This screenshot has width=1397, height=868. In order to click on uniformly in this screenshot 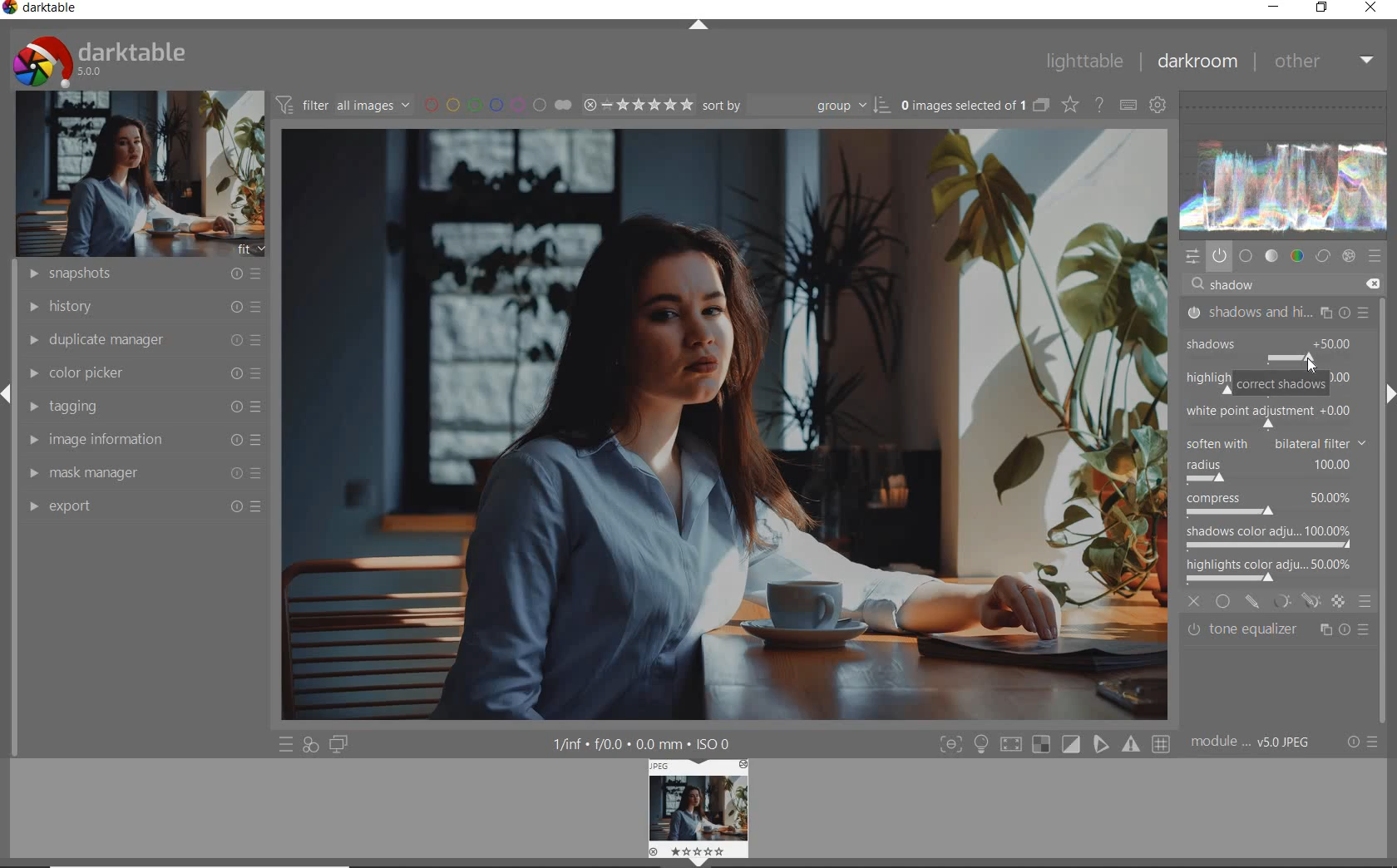, I will do `click(1224, 601)`.